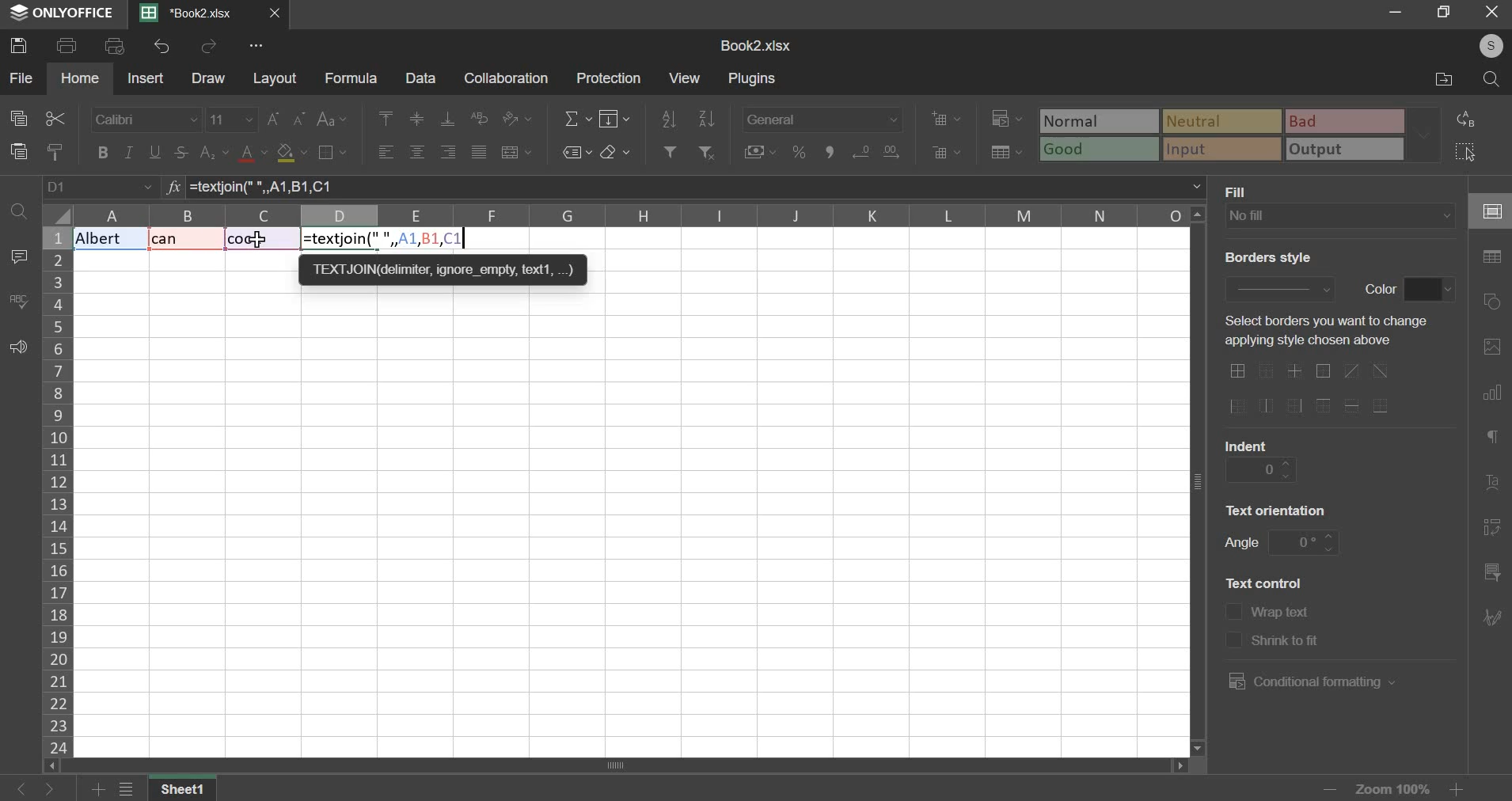 This screenshot has width=1512, height=801. Describe the element at coordinates (1491, 348) in the screenshot. I see `picture or video` at that location.